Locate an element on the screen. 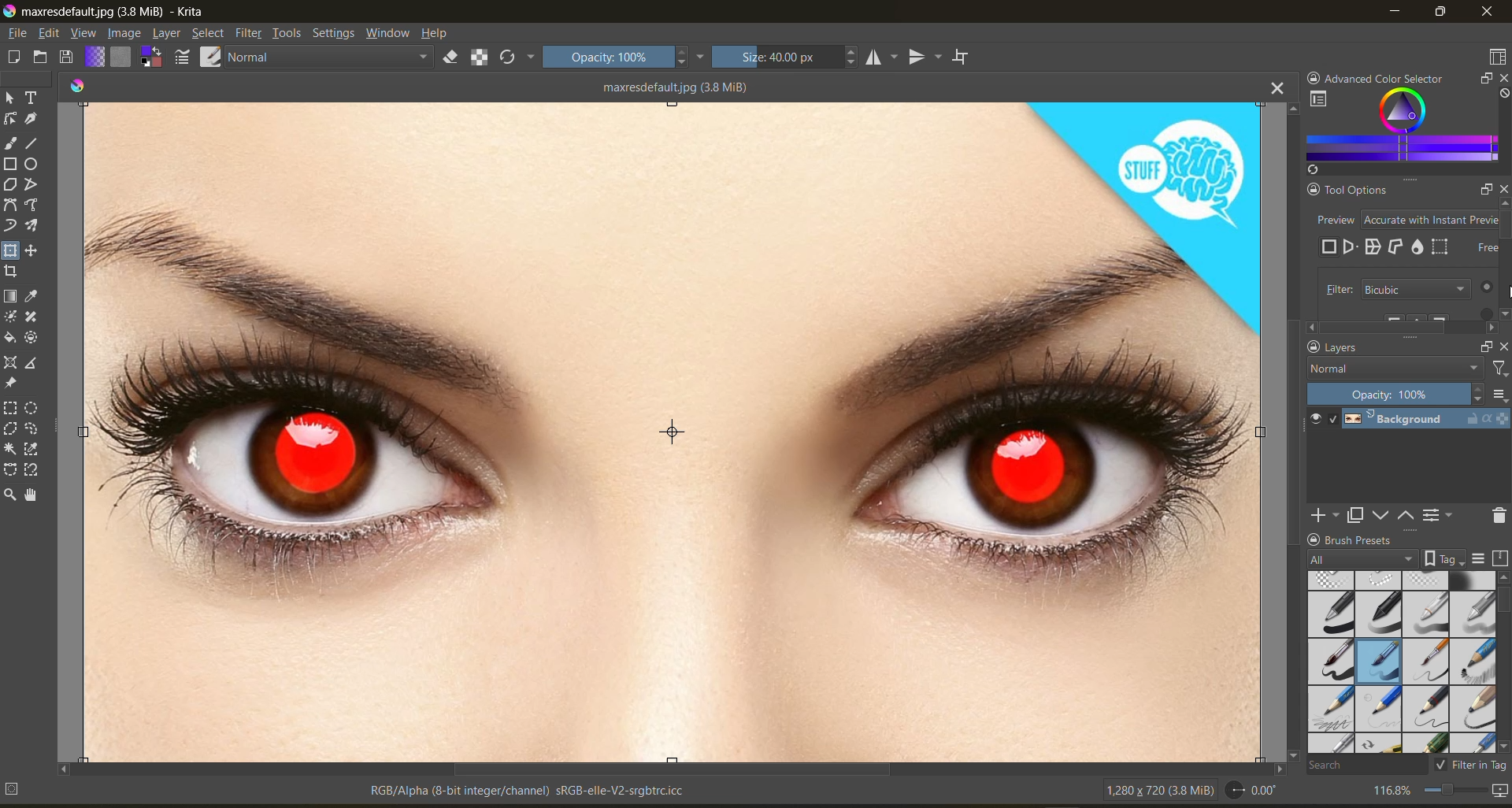 This screenshot has height=808, width=1512. tool is located at coordinates (9, 317).